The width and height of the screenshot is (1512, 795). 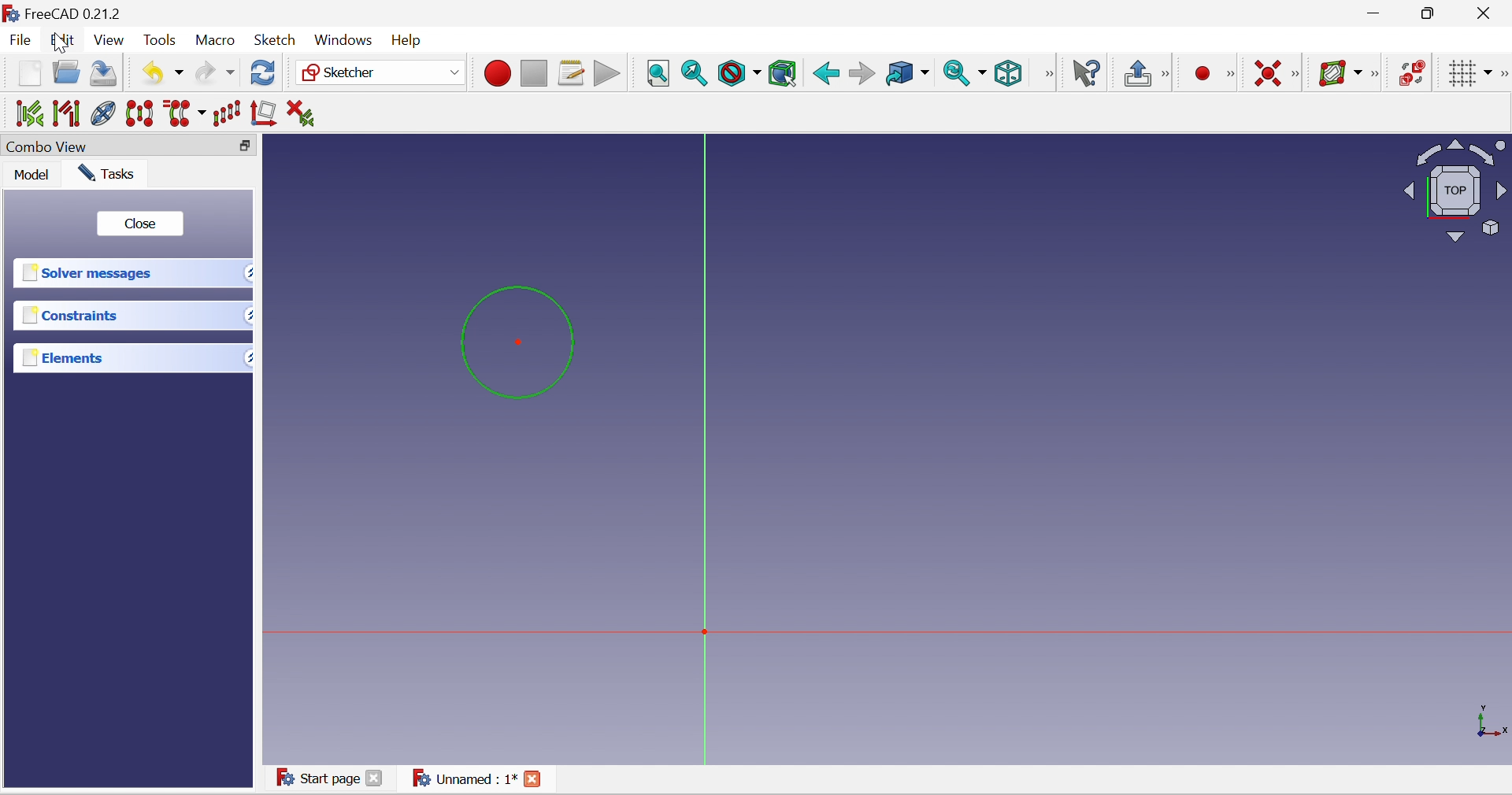 I want to click on Macro, so click(x=216, y=41).